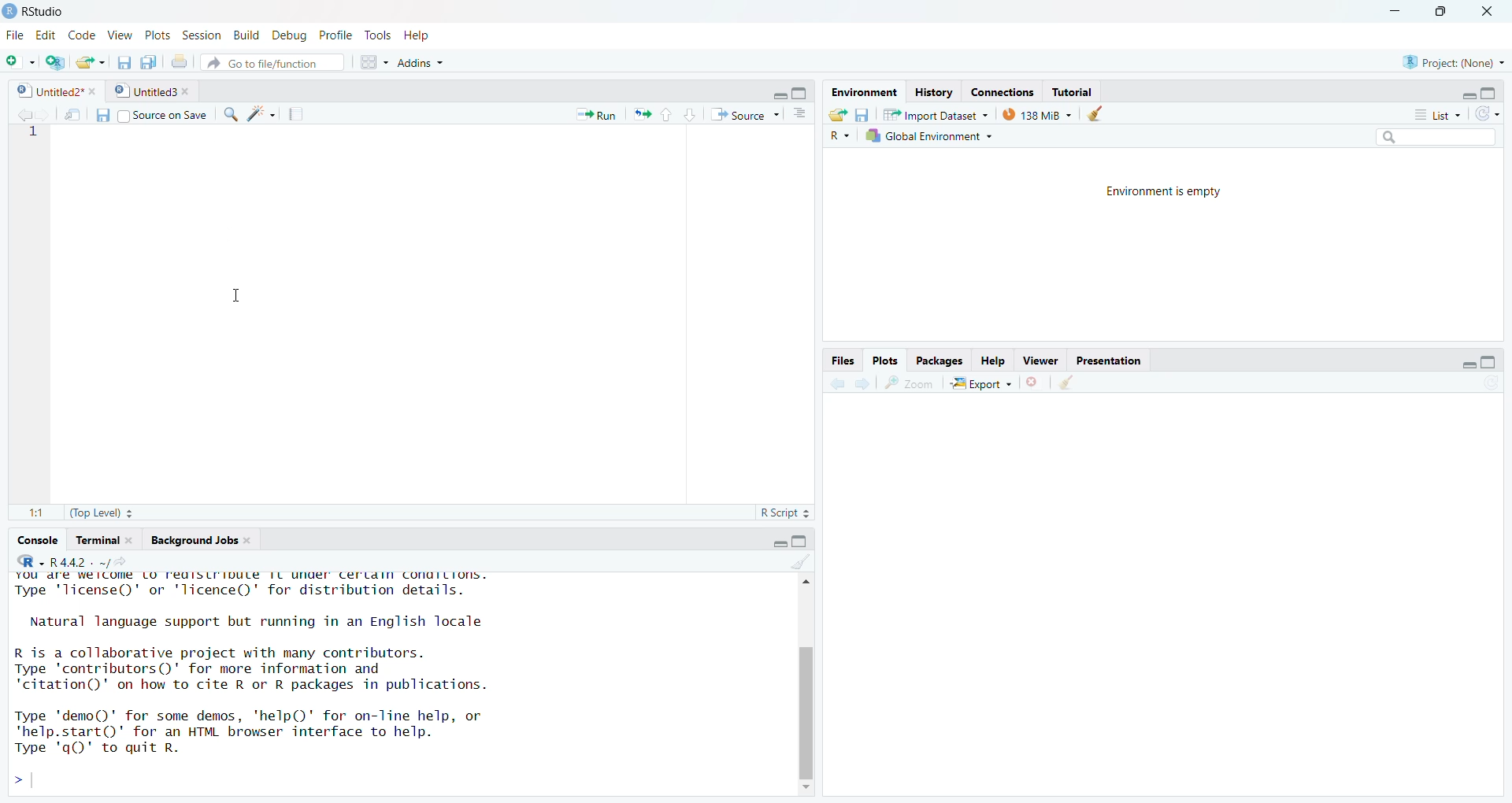  Describe the element at coordinates (27, 510) in the screenshot. I see `11:11` at that location.